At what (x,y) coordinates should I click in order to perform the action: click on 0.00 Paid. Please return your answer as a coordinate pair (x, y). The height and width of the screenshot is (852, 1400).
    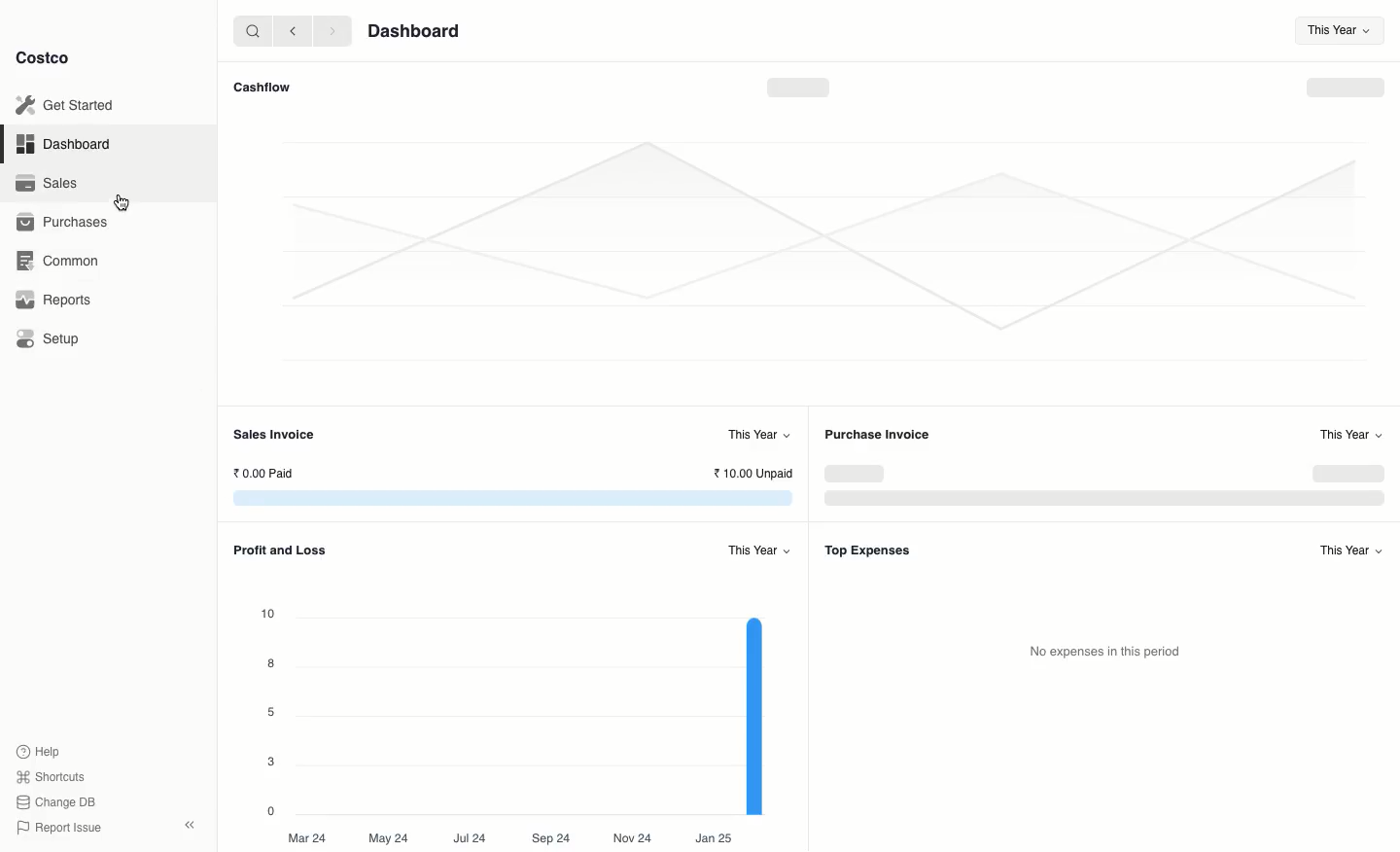
    Looking at the image, I should click on (265, 474).